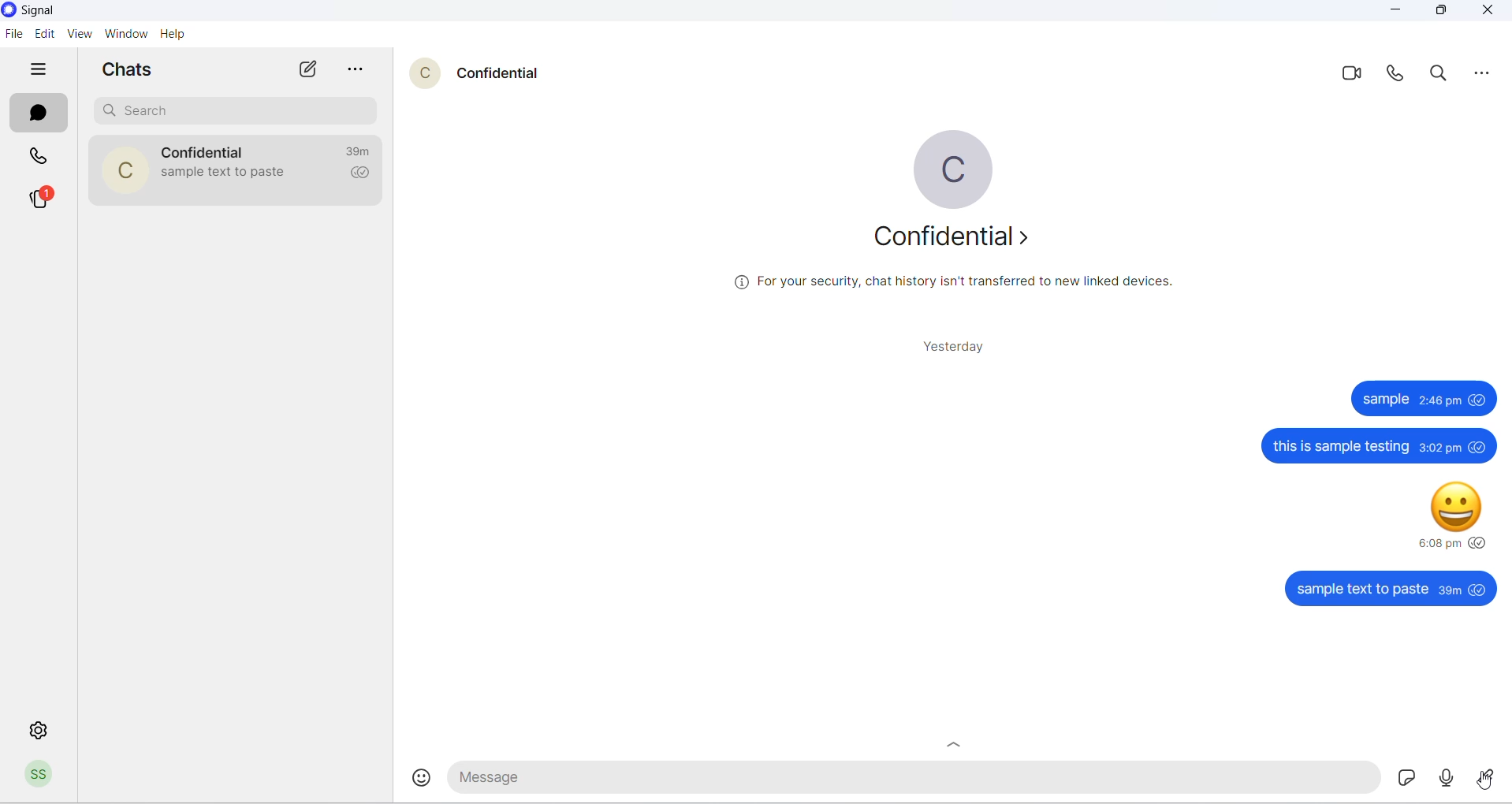 This screenshot has width=1512, height=804. What do you see at coordinates (239, 109) in the screenshot?
I see `search chat` at bounding box center [239, 109].